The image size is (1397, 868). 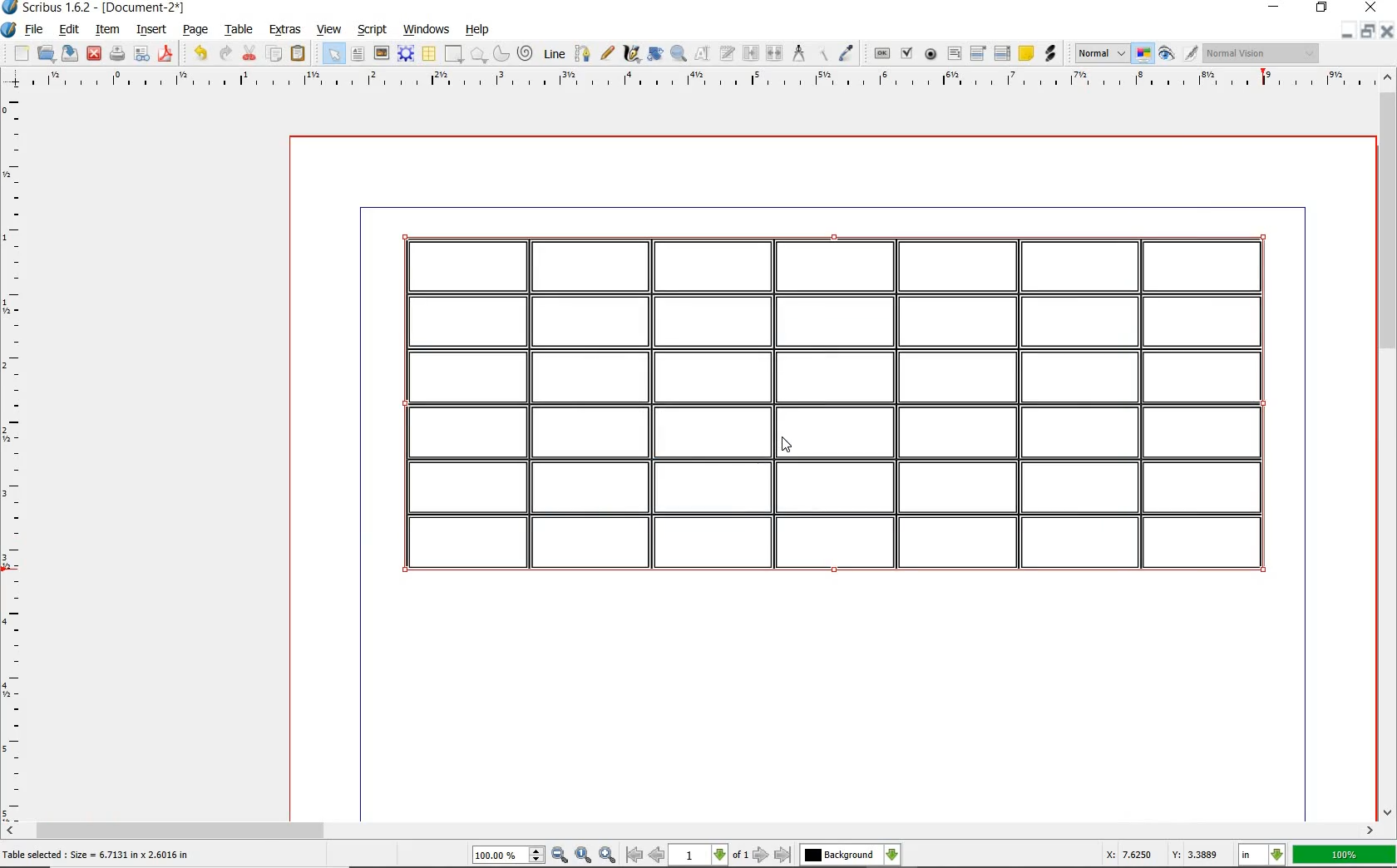 What do you see at coordinates (143, 55) in the screenshot?
I see `preflight verifier` at bounding box center [143, 55].